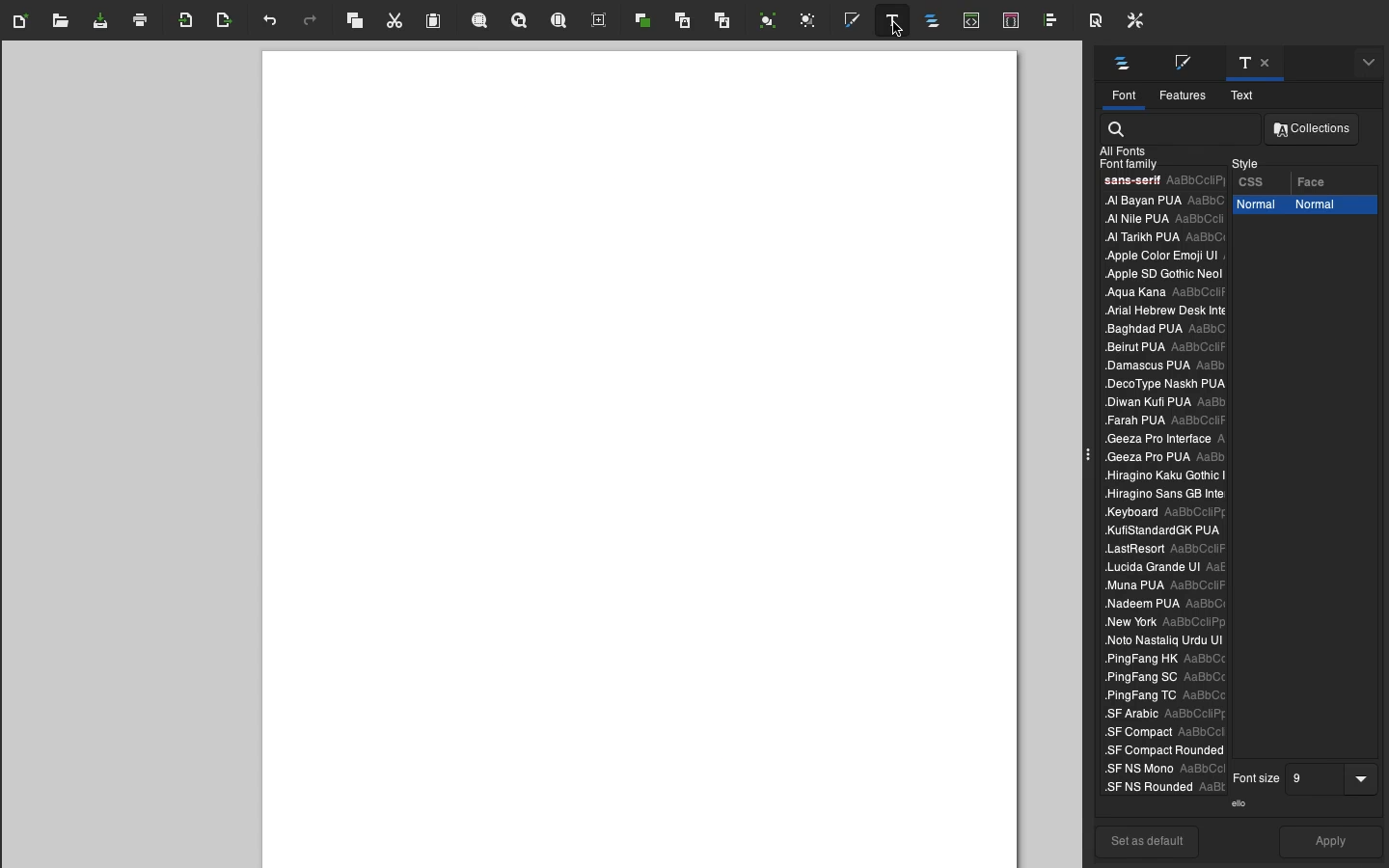 Image resolution: width=1389 pixels, height=868 pixels. I want to click on Edit, so click(1189, 63).